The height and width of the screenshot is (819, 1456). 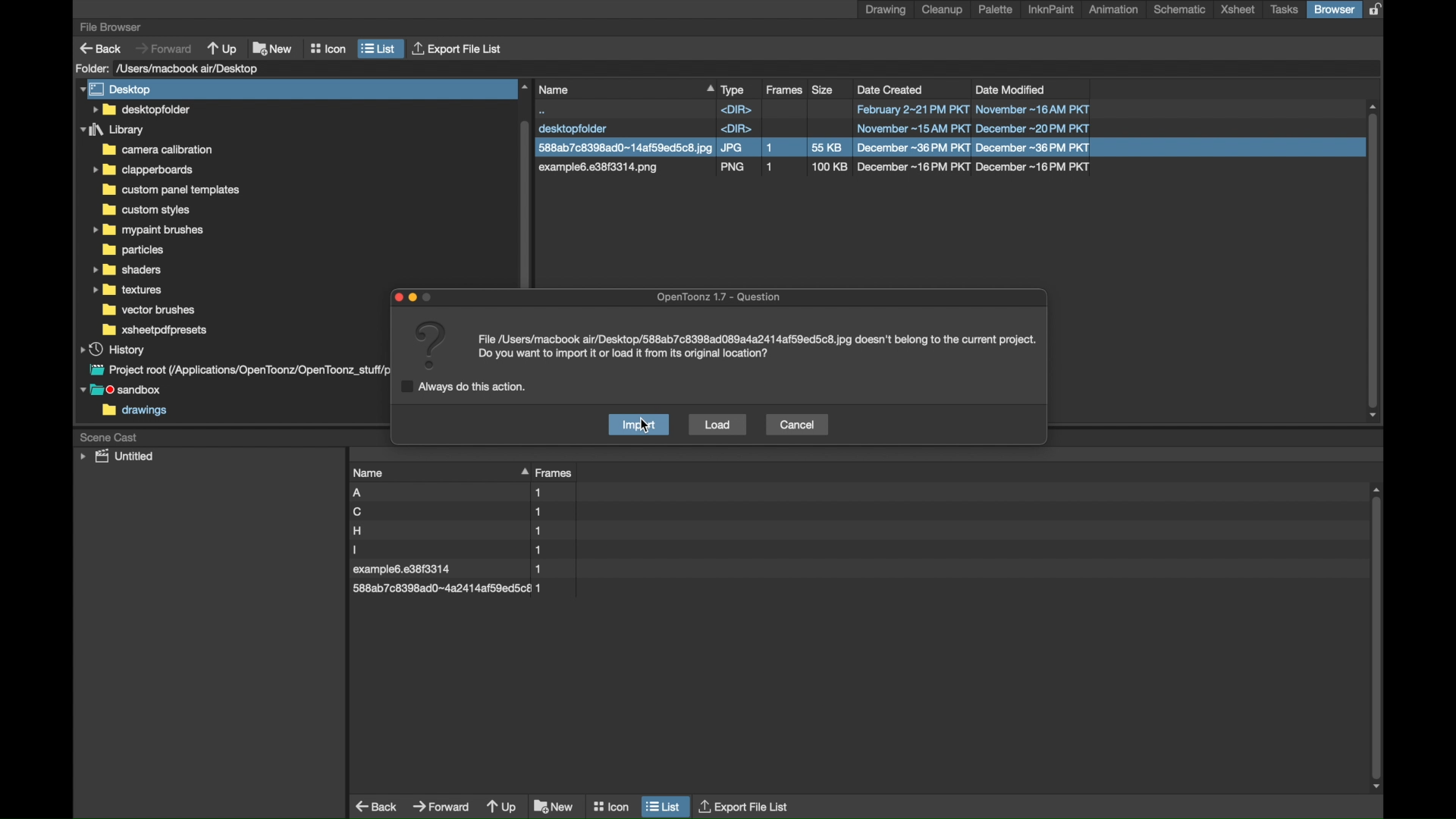 I want to click on file, so click(x=452, y=493).